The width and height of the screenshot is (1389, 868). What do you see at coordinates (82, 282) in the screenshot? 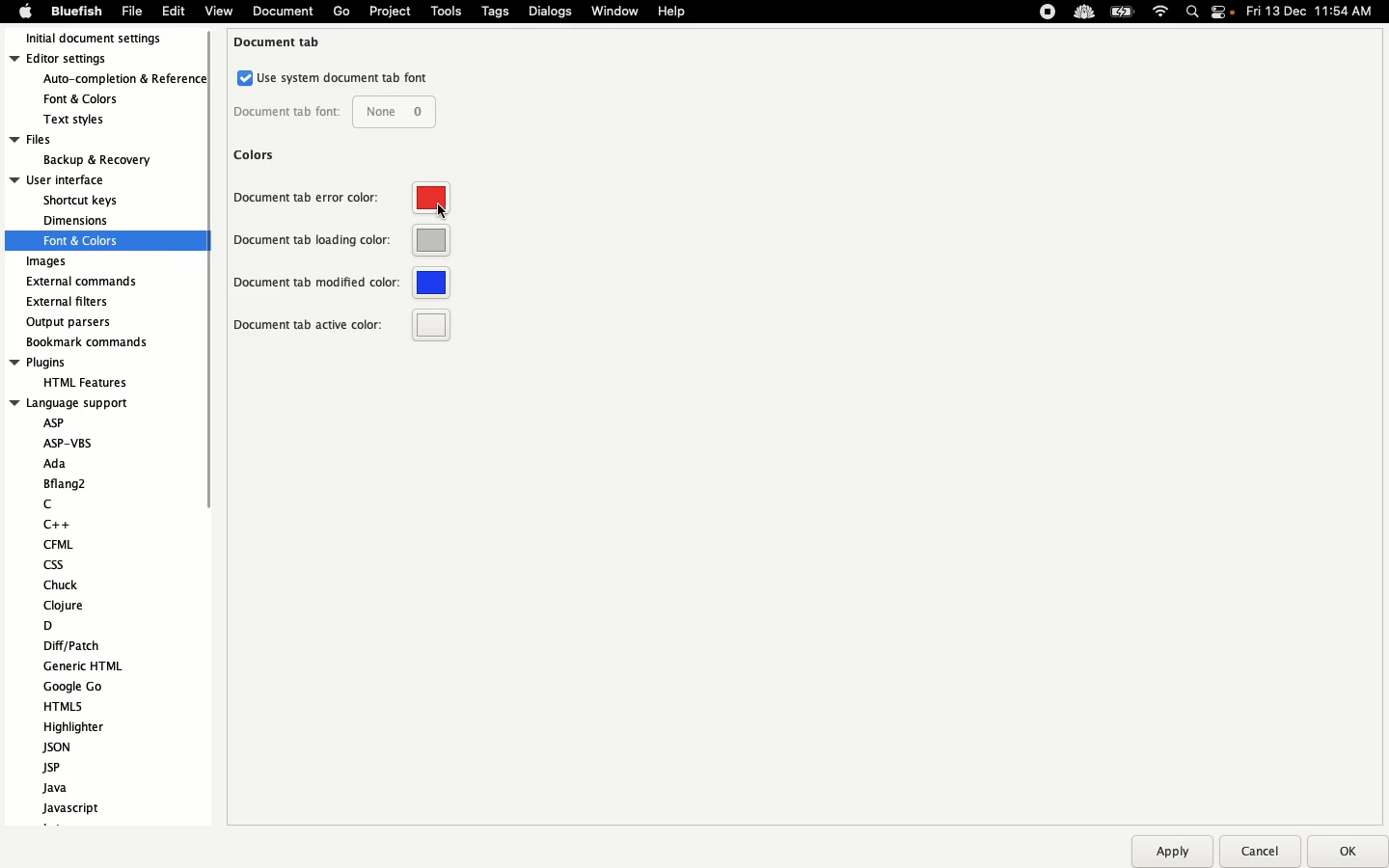
I see `External commands` at bounding box center [82, 282].